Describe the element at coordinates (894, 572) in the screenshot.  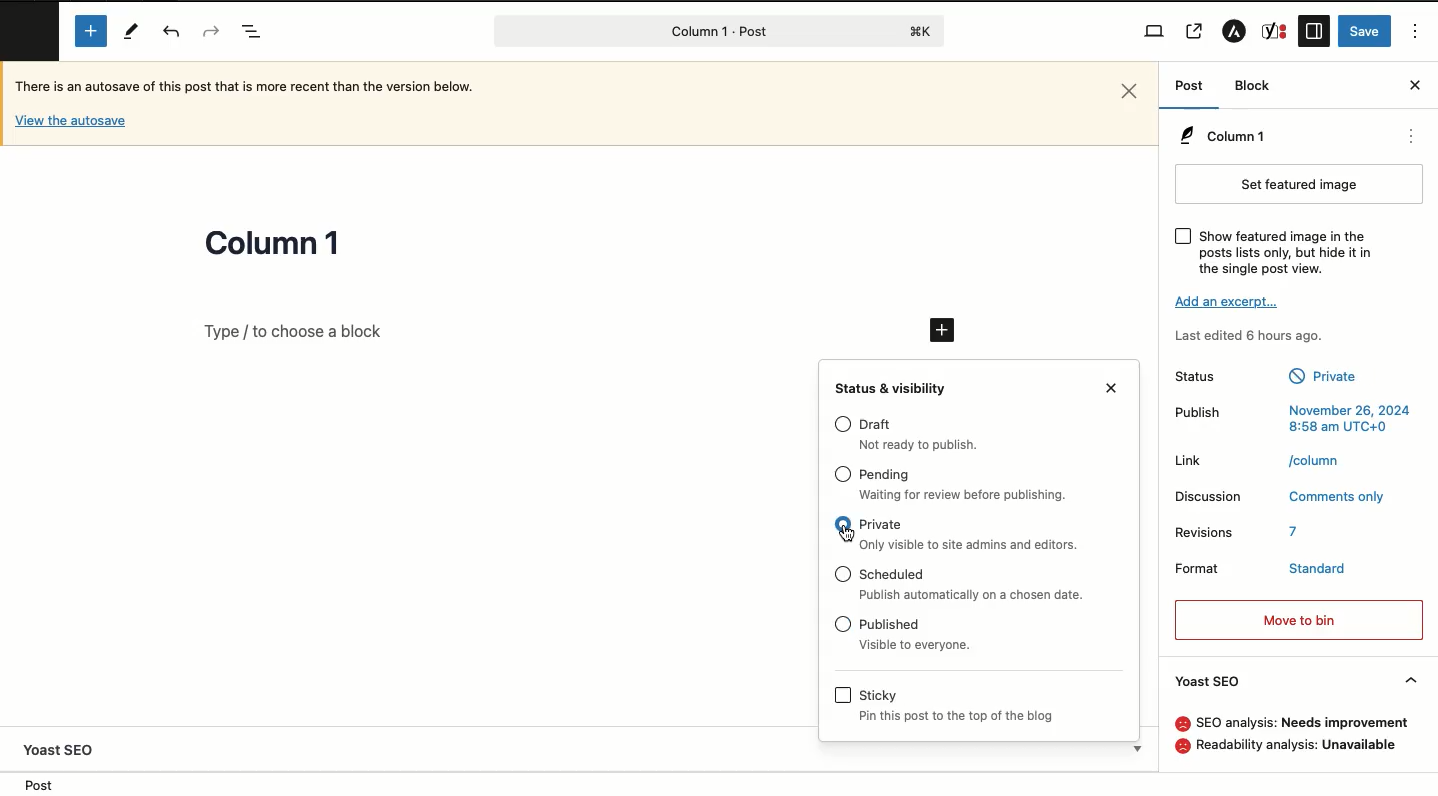
I see `Scheduled` at that location.